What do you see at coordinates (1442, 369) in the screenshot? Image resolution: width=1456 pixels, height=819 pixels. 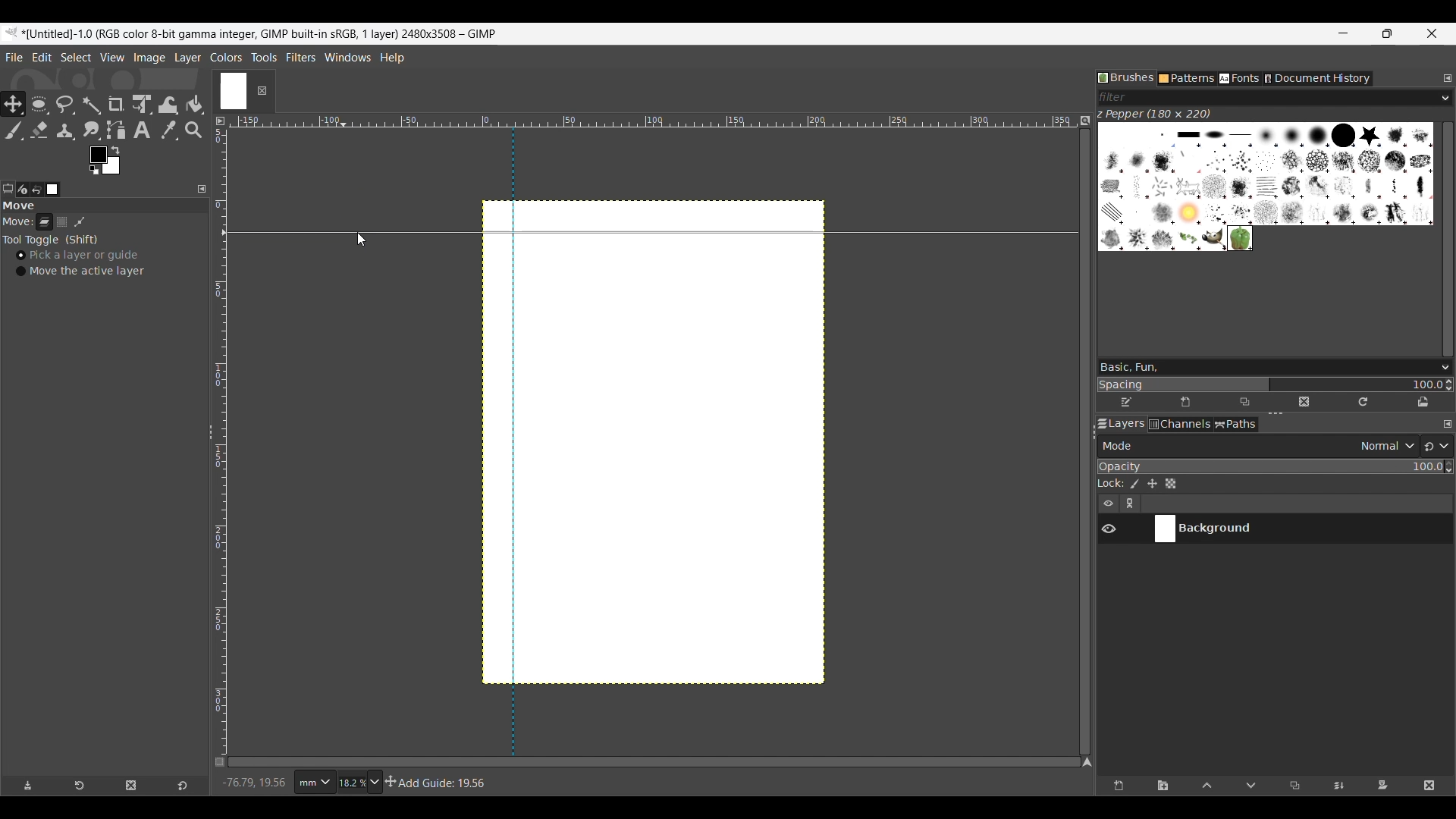 I see `Brush options` at bounding box center [1442, 369].